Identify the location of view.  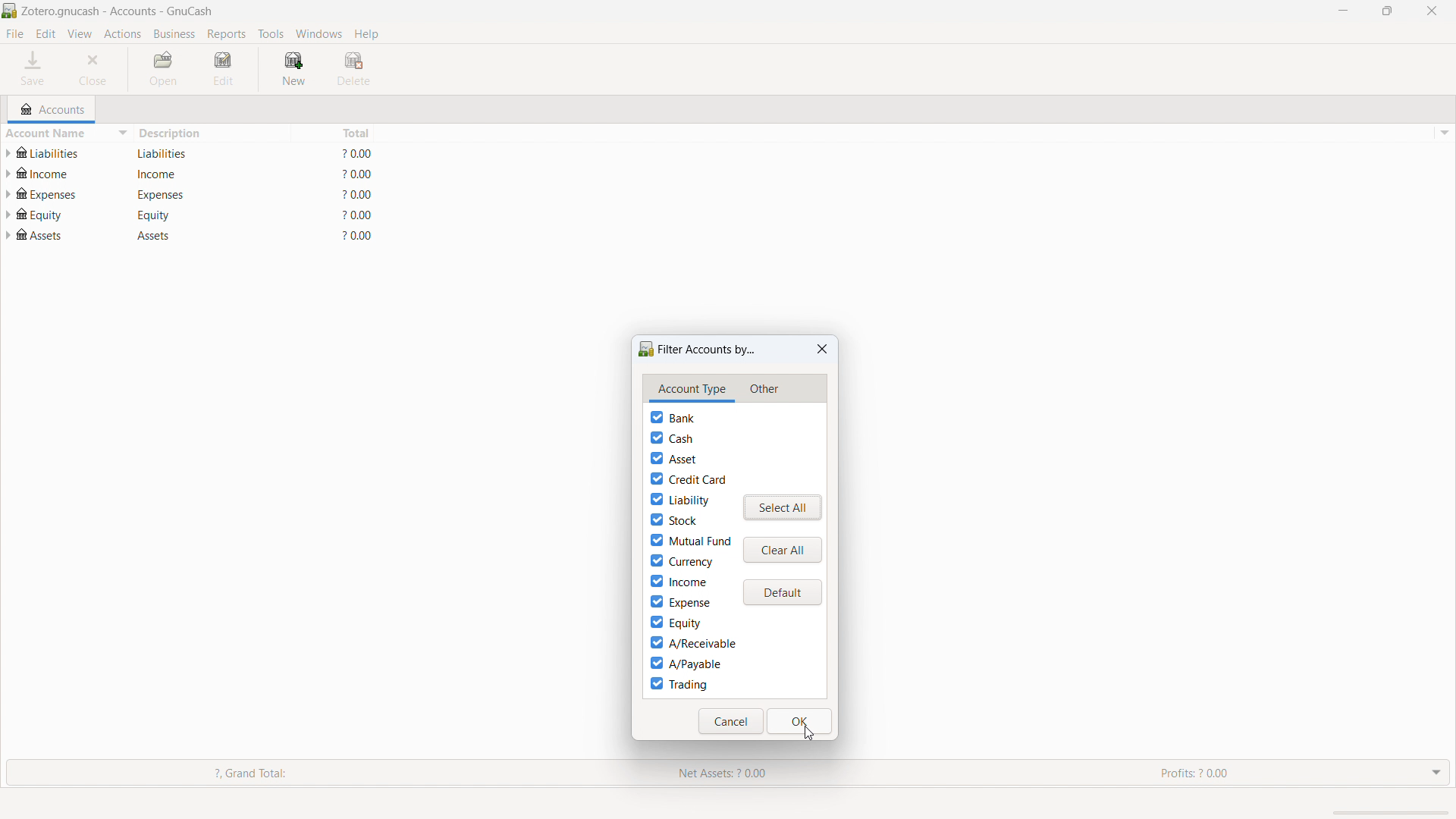
(80, 35).